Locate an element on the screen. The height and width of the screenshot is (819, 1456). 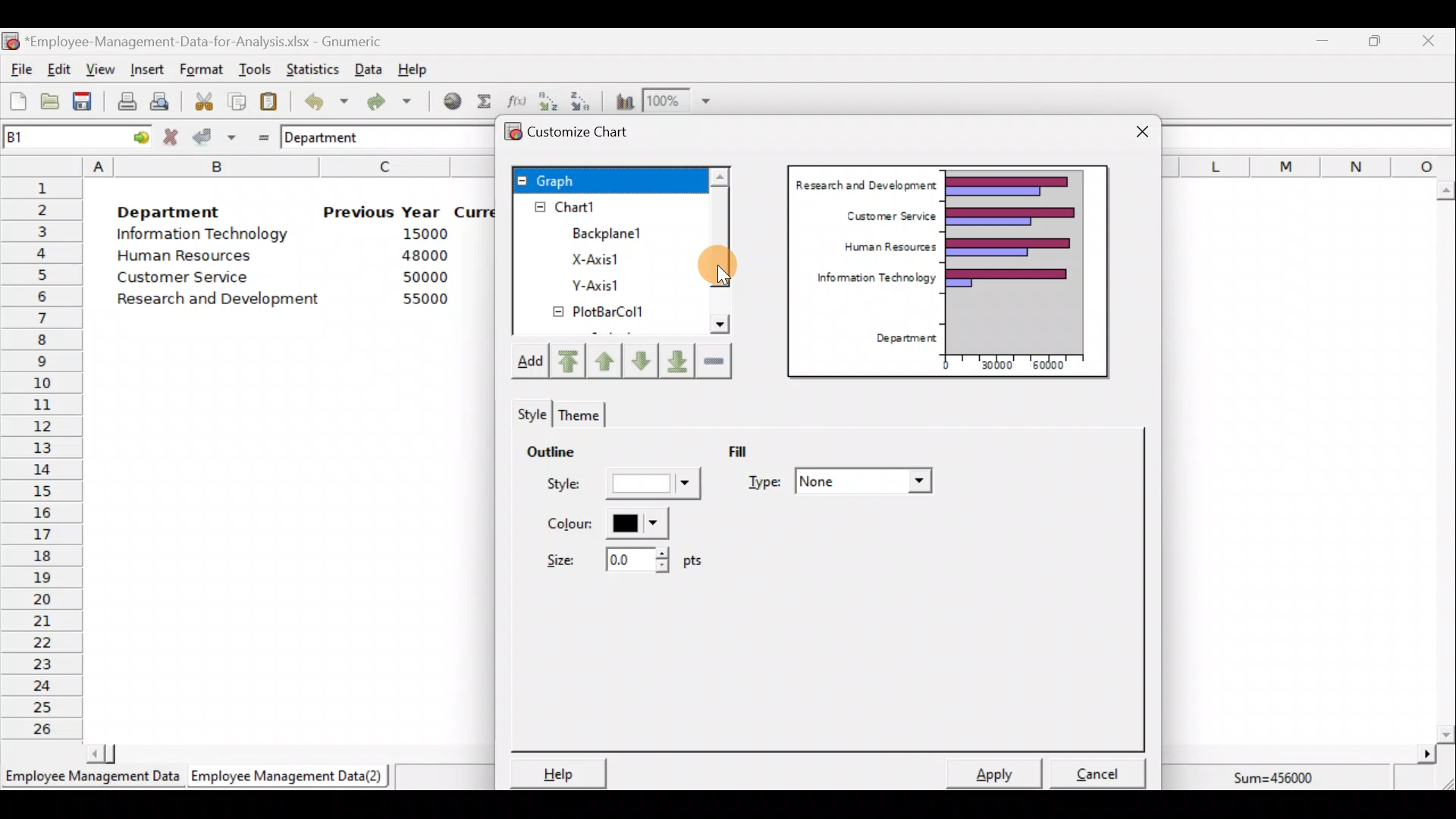
PlotBarCol1 is located at coordinates (609, 318).